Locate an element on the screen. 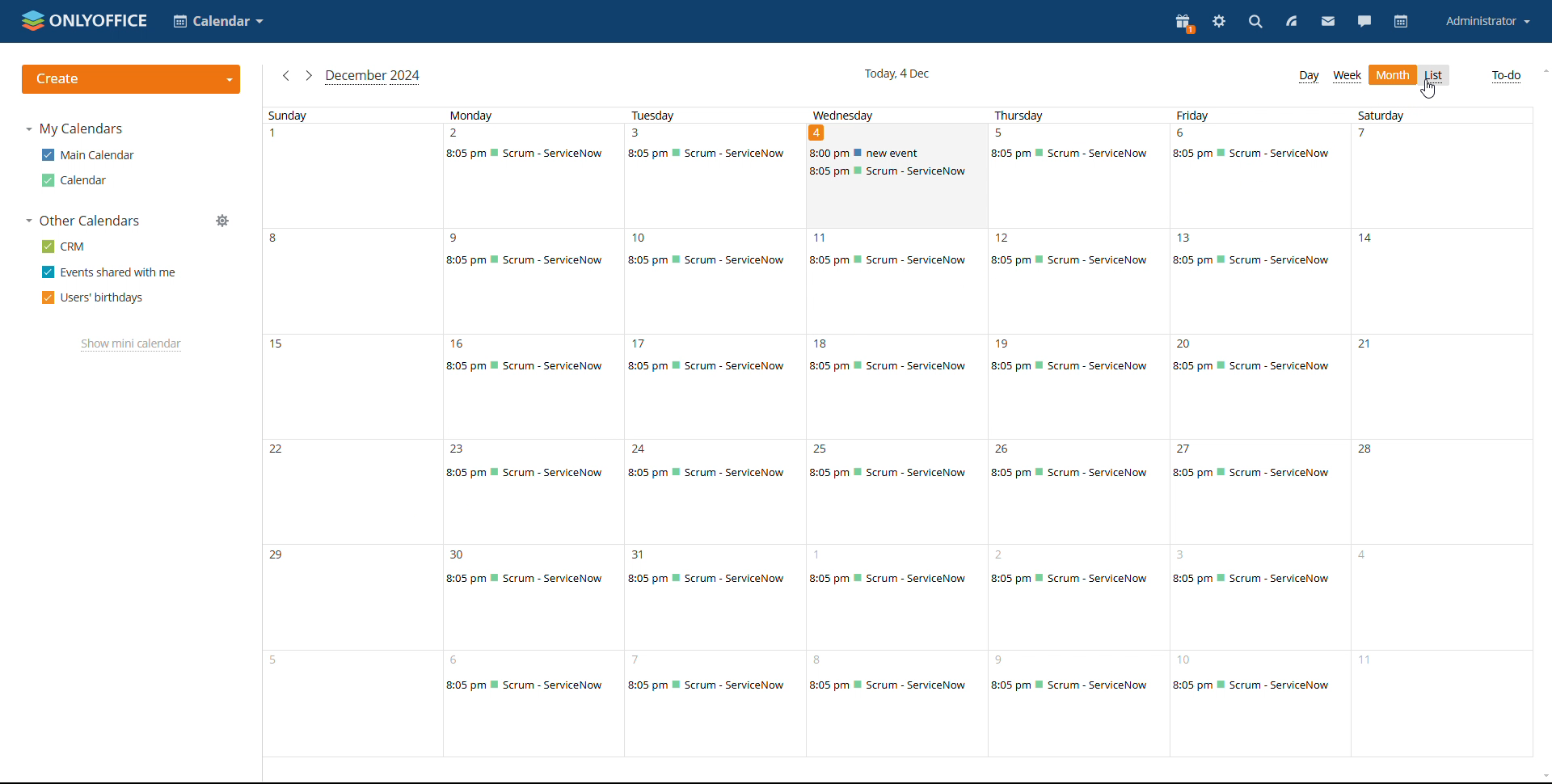 Image resolution: width=1552 pixels, height=784 pixels. my calendars is located at coordinates (75, 129).